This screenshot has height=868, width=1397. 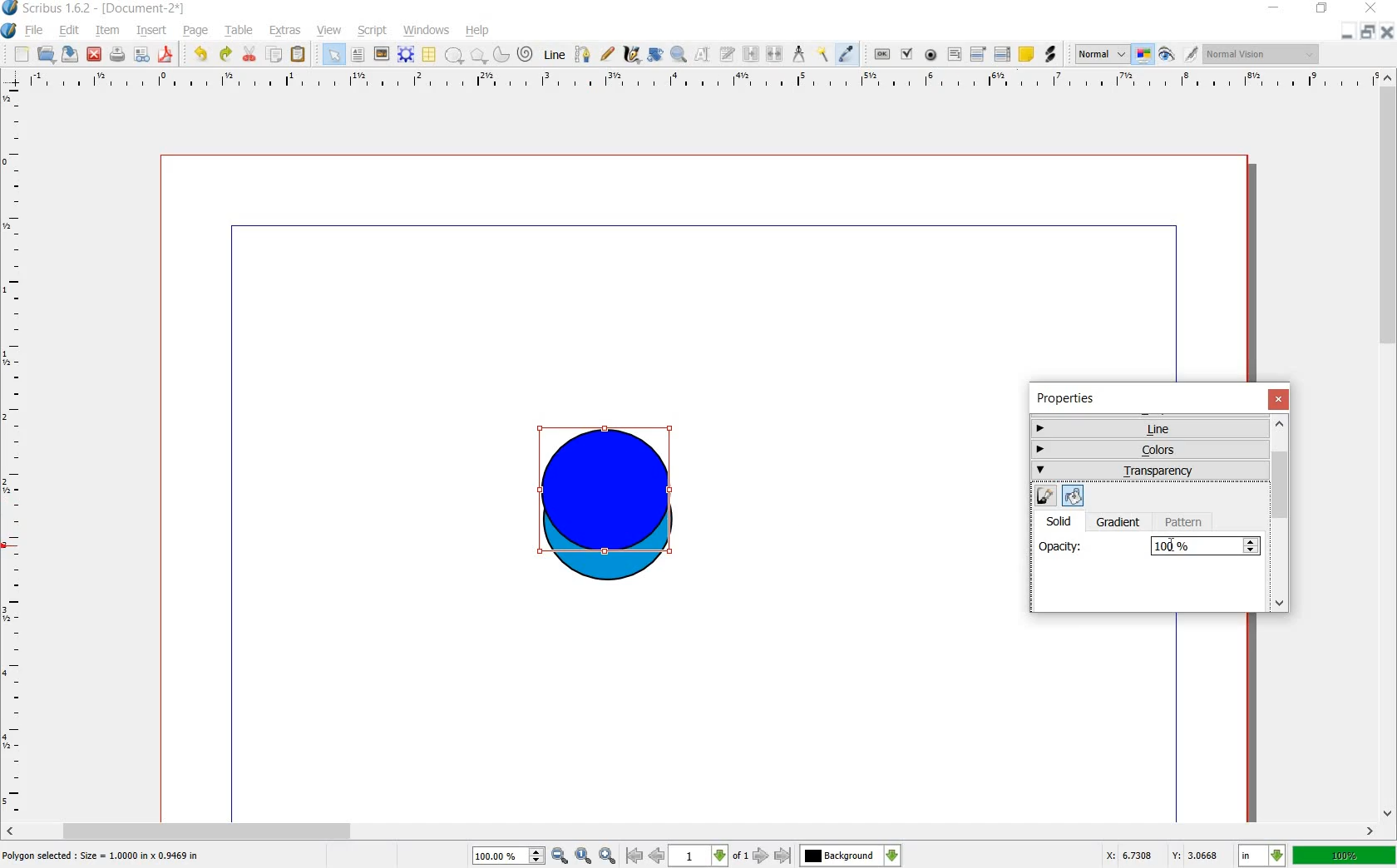 What do you see at coordinates (823, 56) in the screenshot?
I see `copy item properties` at bounding box center [823, 56].